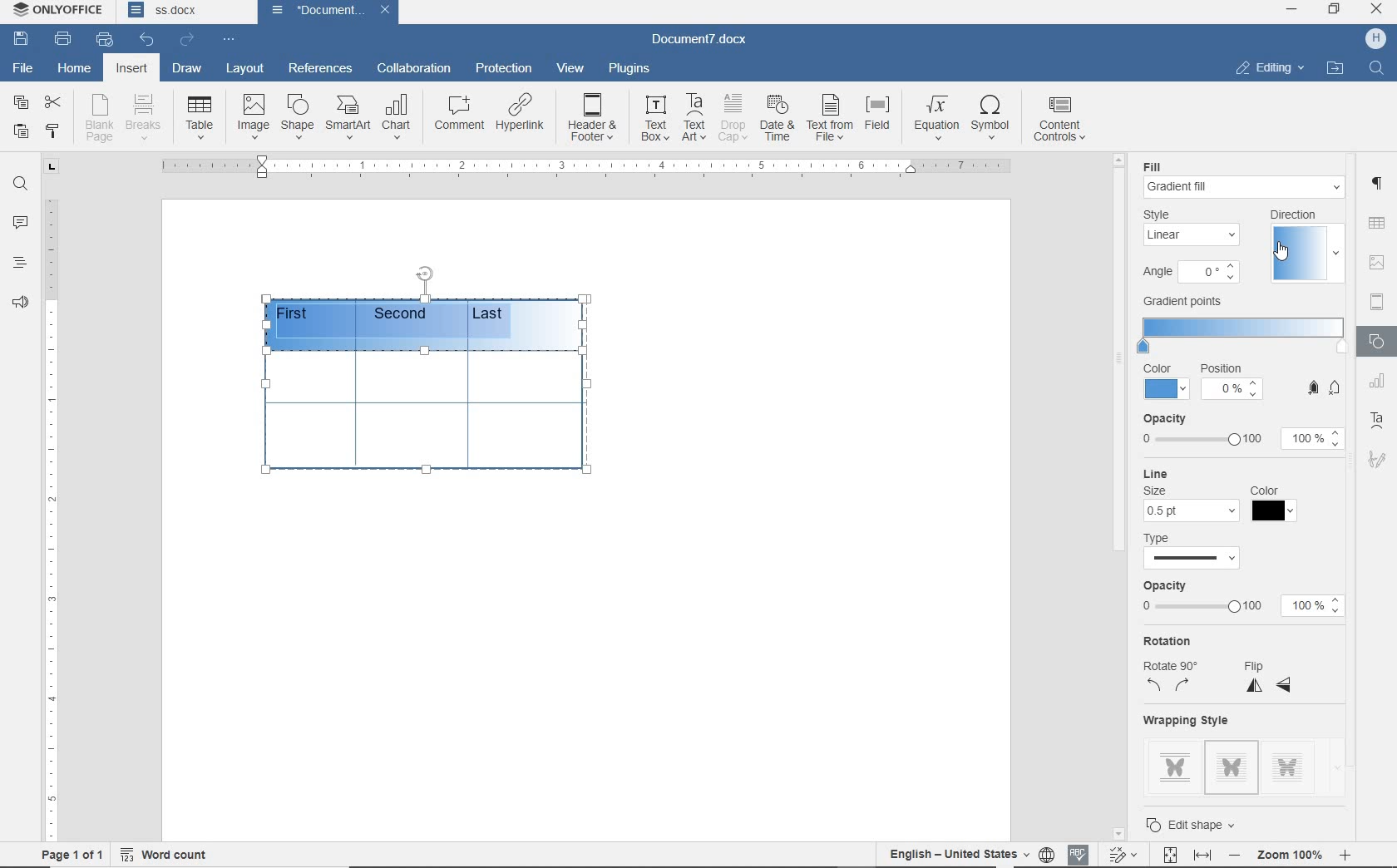  I want to click on select type, so click(1193, 560).